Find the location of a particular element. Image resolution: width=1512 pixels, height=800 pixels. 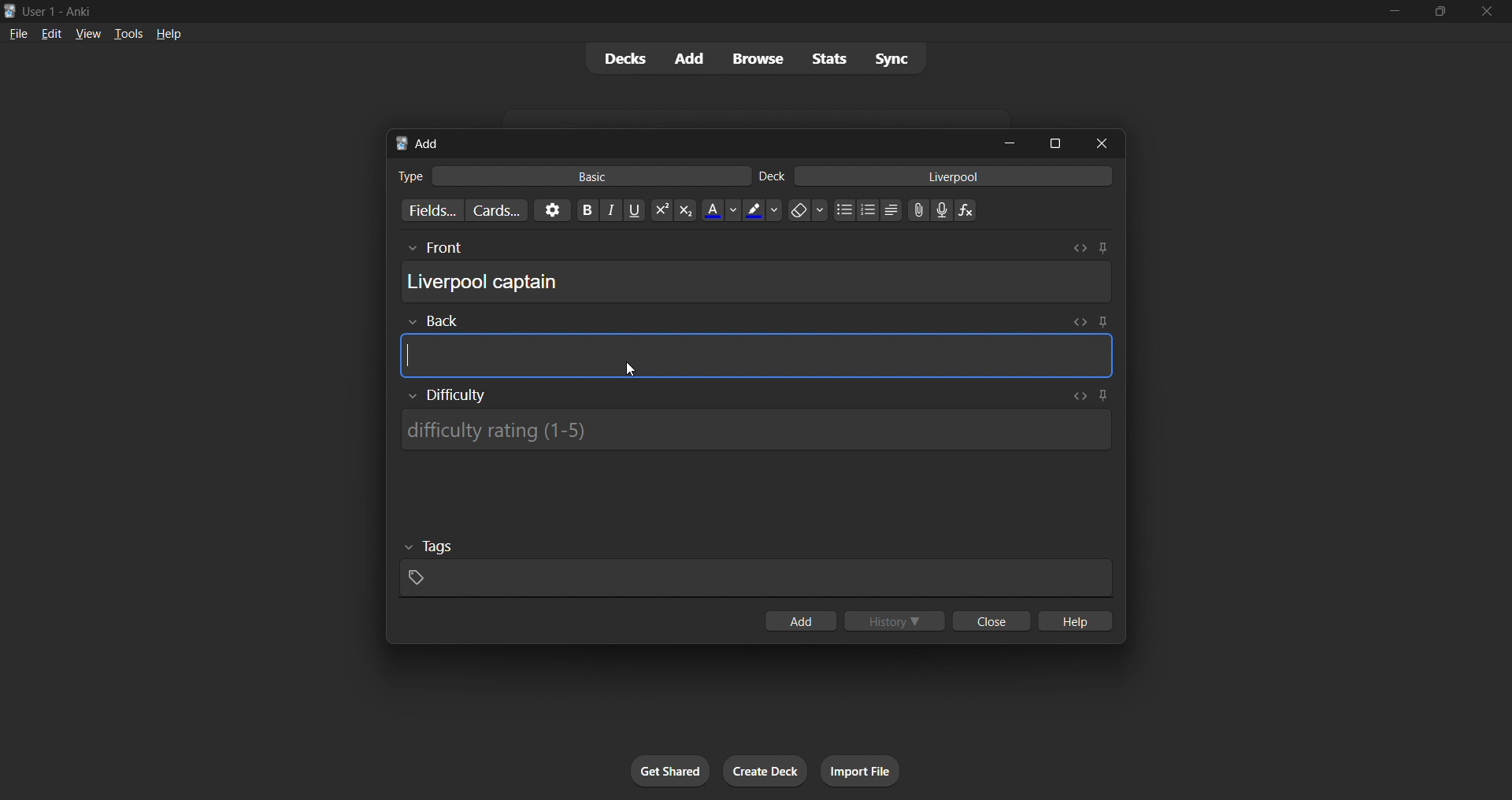

Unordered list is located at coordinates (843, 209).